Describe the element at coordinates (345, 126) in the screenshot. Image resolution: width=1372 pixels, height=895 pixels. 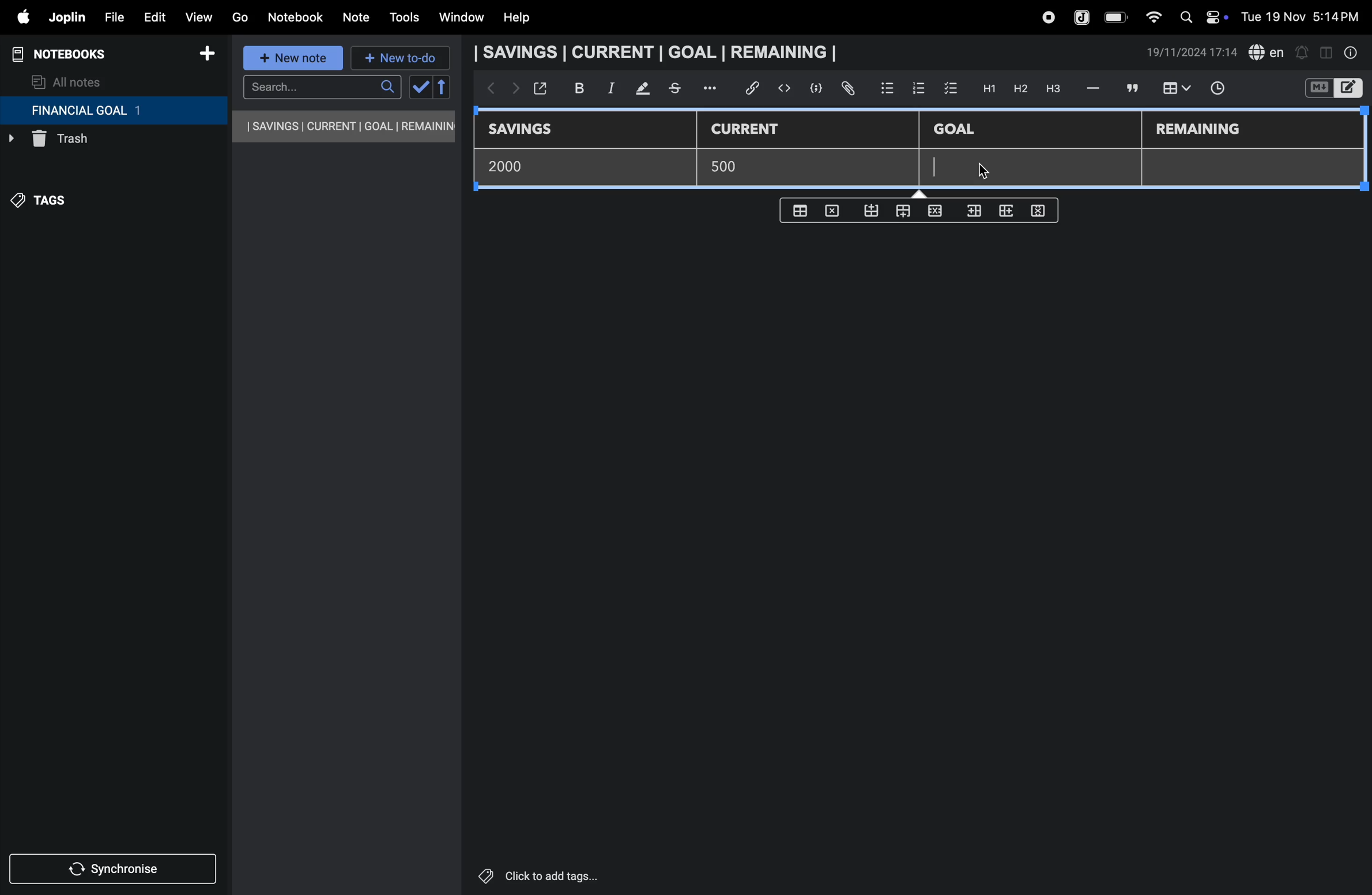
I see `savings current goal remaining` at that location.